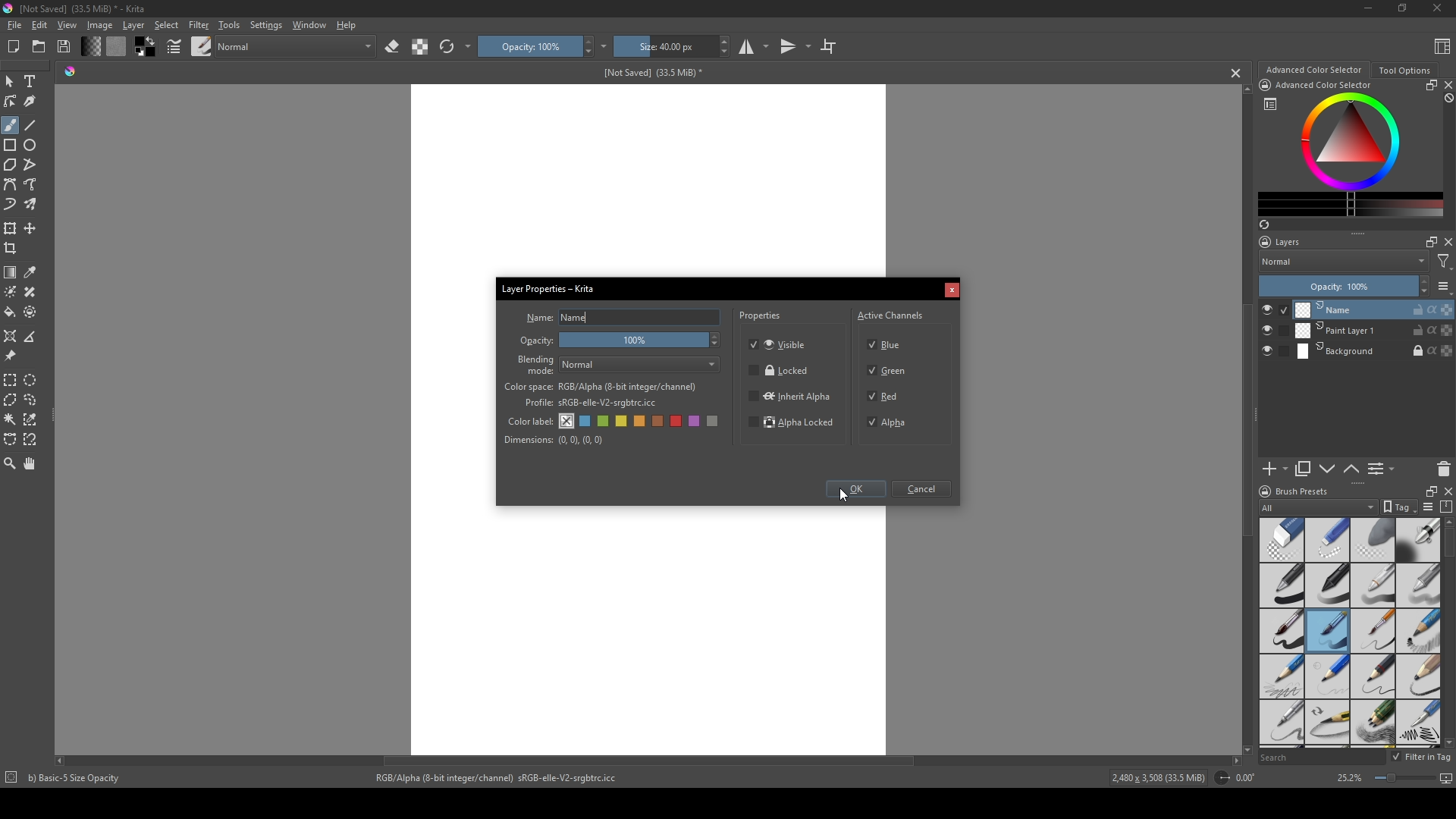 This screenshot has width=1456, height=819. I want to click on icon, so click(1264, 85).